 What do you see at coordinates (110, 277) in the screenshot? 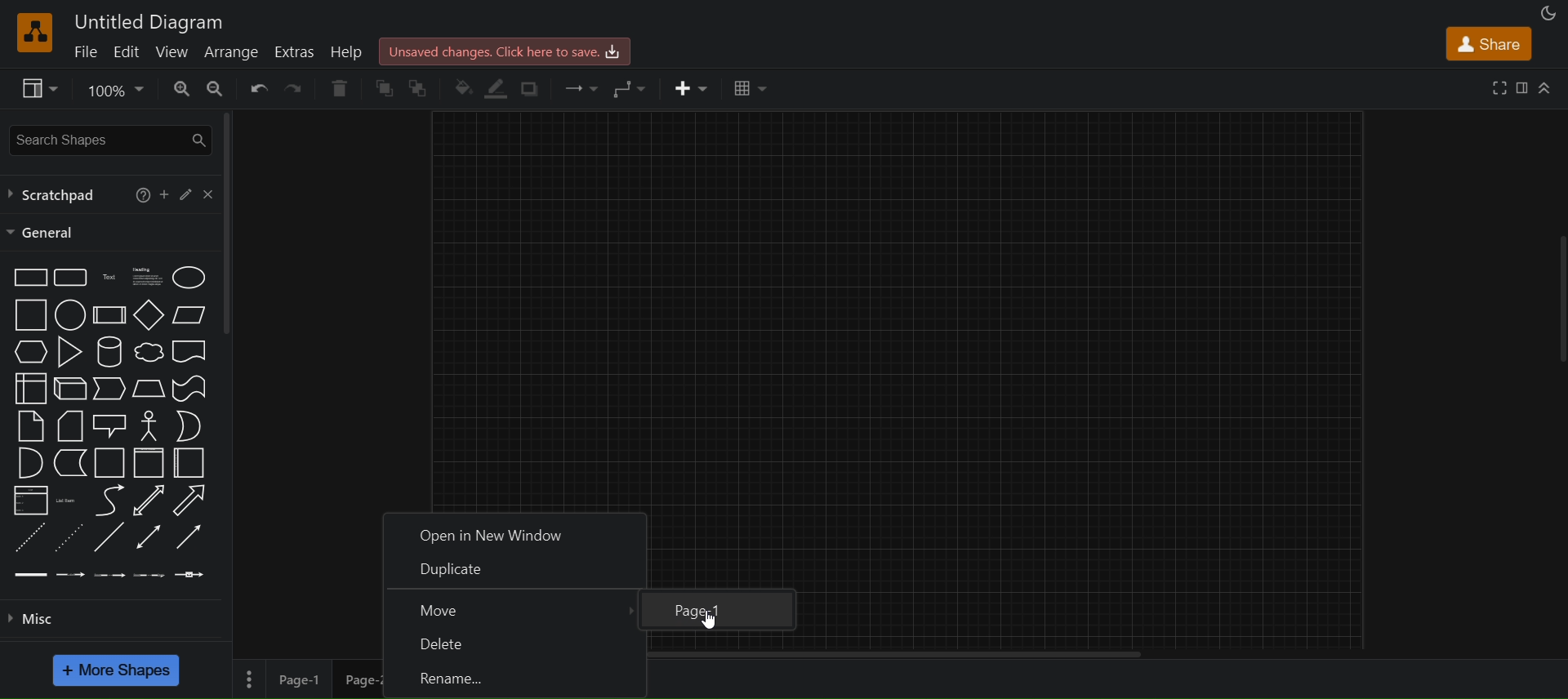
I see `text` at bounding box center [110, 277].